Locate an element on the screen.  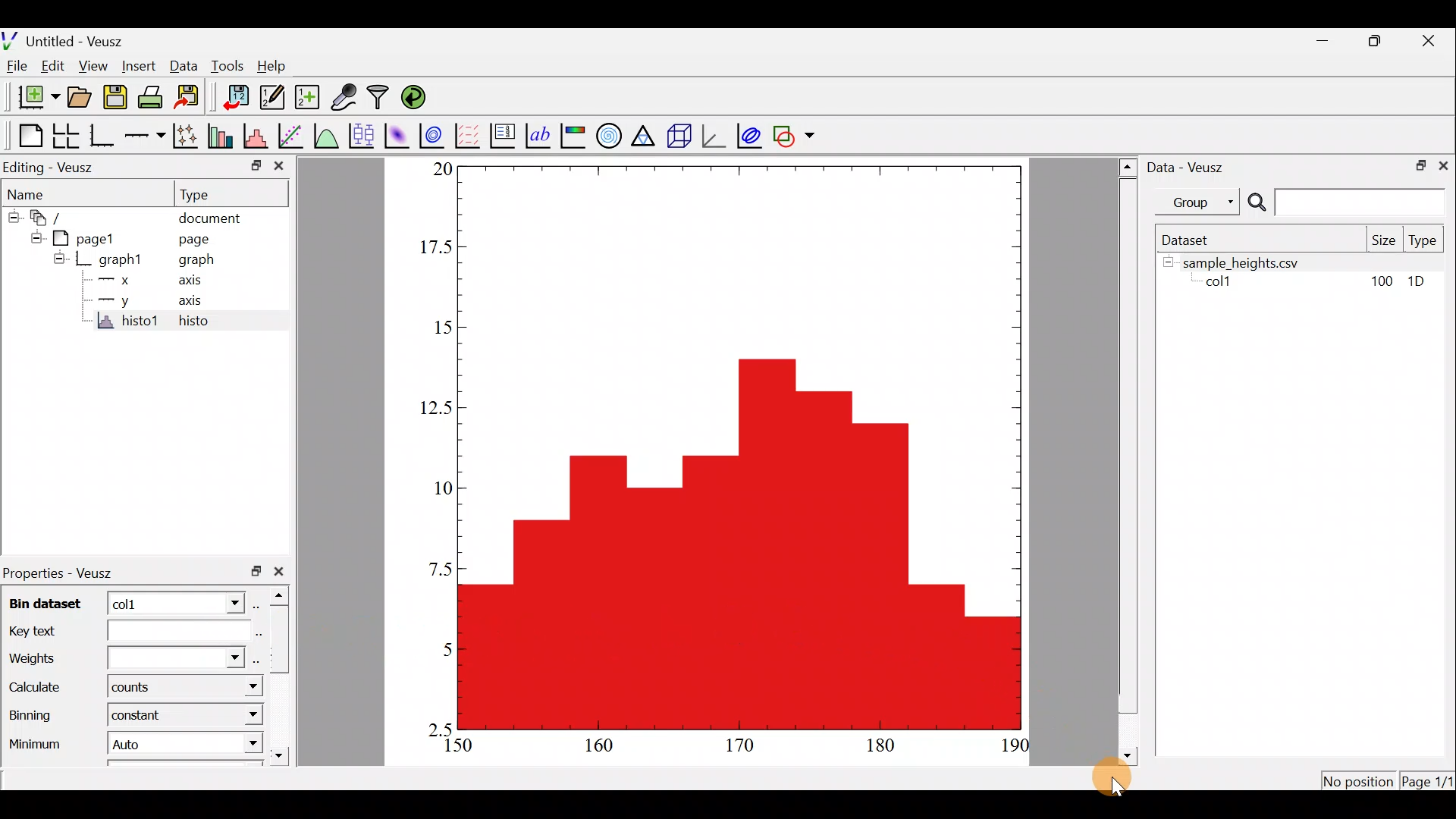
add a shape to the plot is located at coordinates (795, 134).